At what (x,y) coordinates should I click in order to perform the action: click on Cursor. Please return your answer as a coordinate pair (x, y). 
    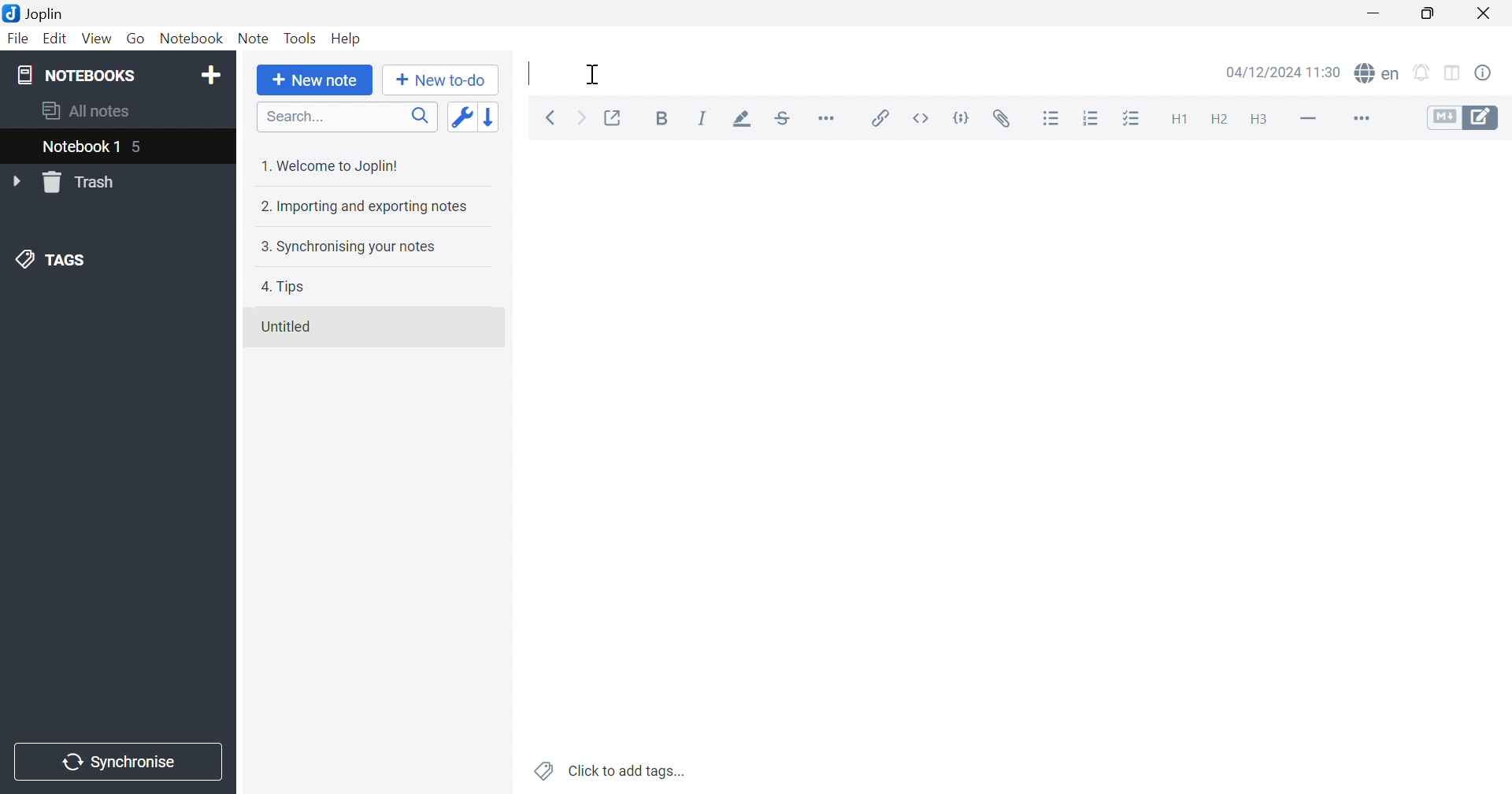
    Looking at the image, I should click on (594, 78).